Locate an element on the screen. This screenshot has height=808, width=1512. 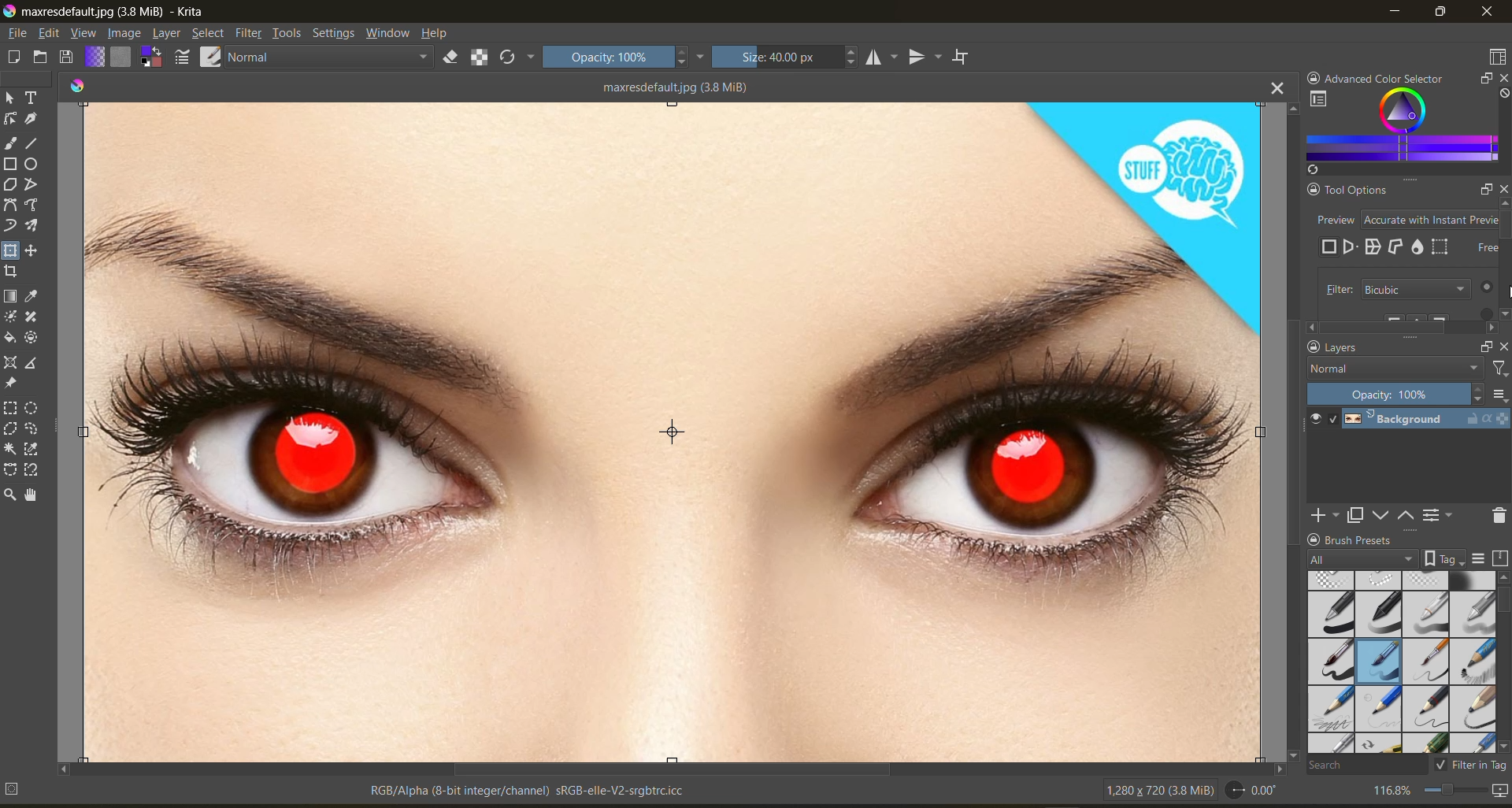
vertical  mirror tool is located at coordinates (927, 55).